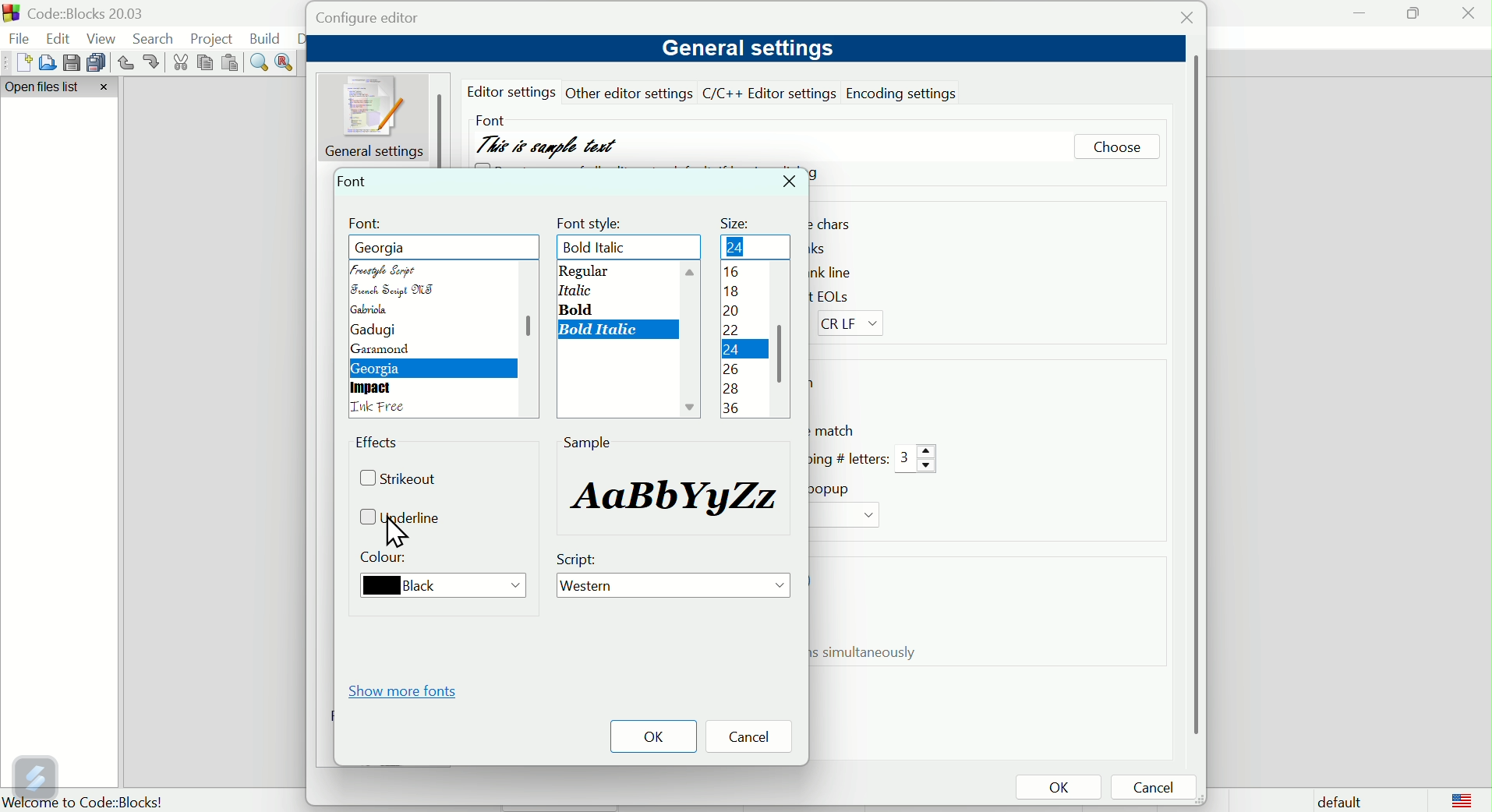  I want to click on French script, so click(394, 291).